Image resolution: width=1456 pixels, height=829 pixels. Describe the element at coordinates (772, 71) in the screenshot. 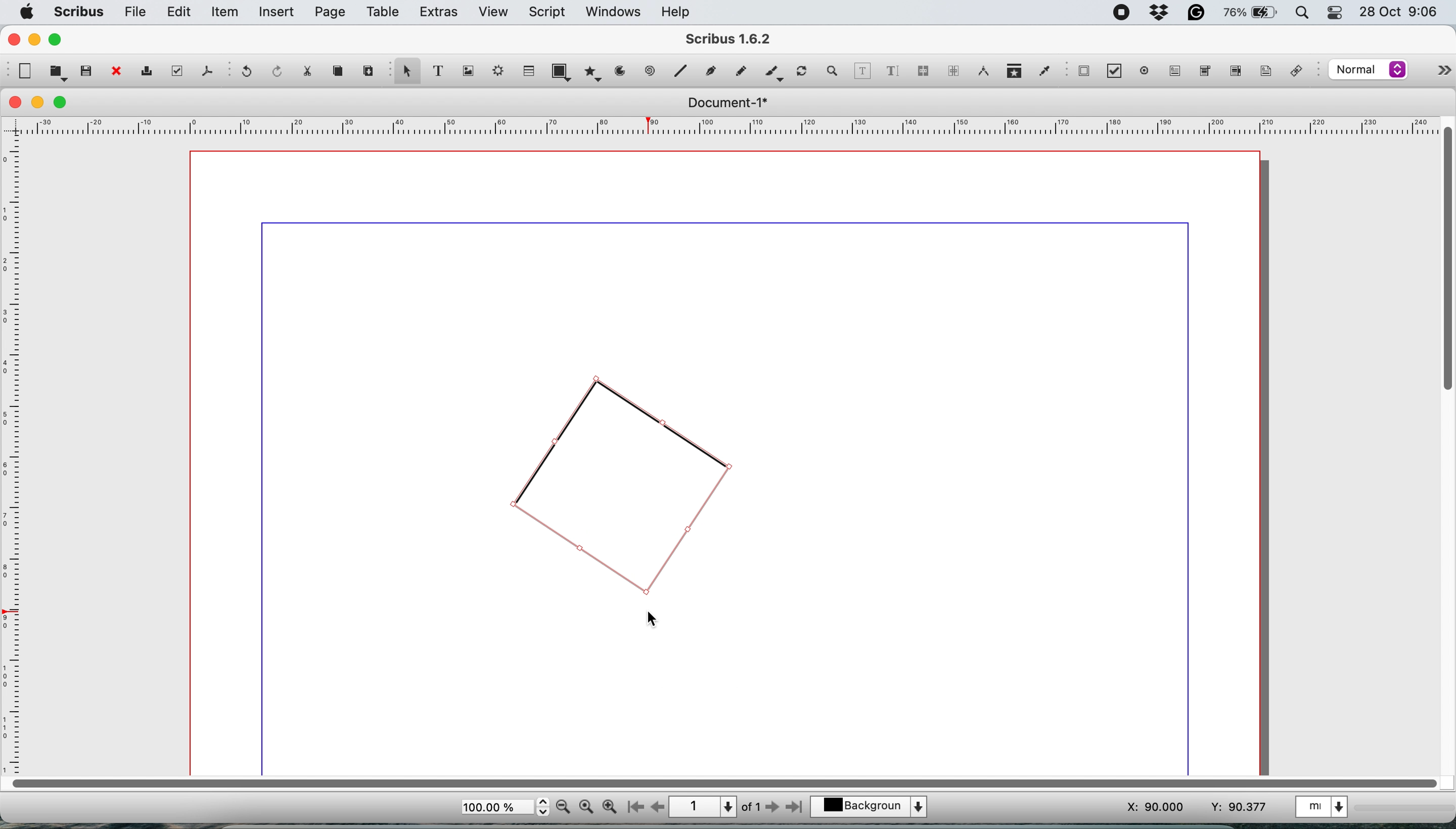

I see `calligraphic line` at that location.